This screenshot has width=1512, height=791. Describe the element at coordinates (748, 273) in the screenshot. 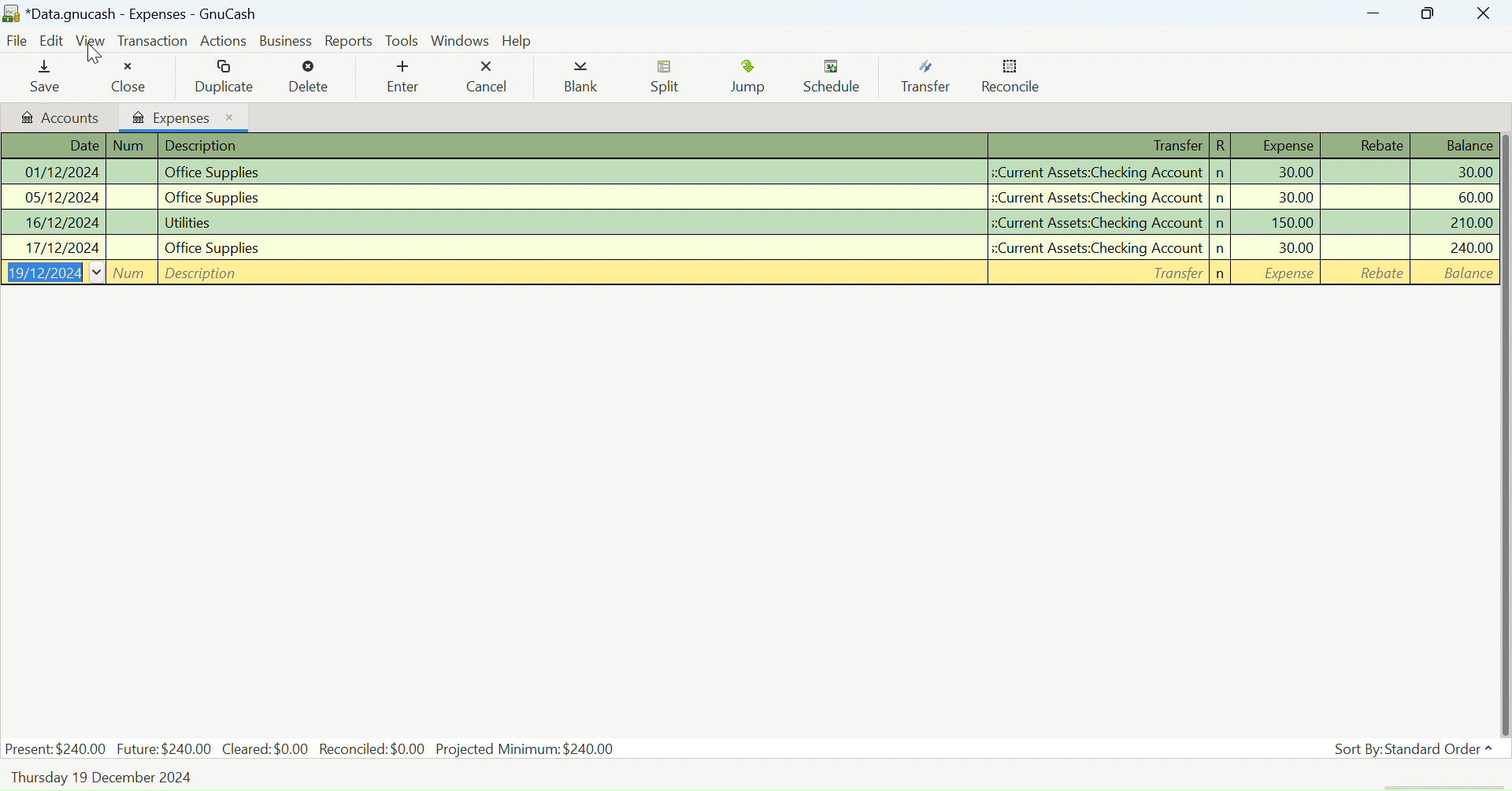

I see `New Entry Field` at that location.